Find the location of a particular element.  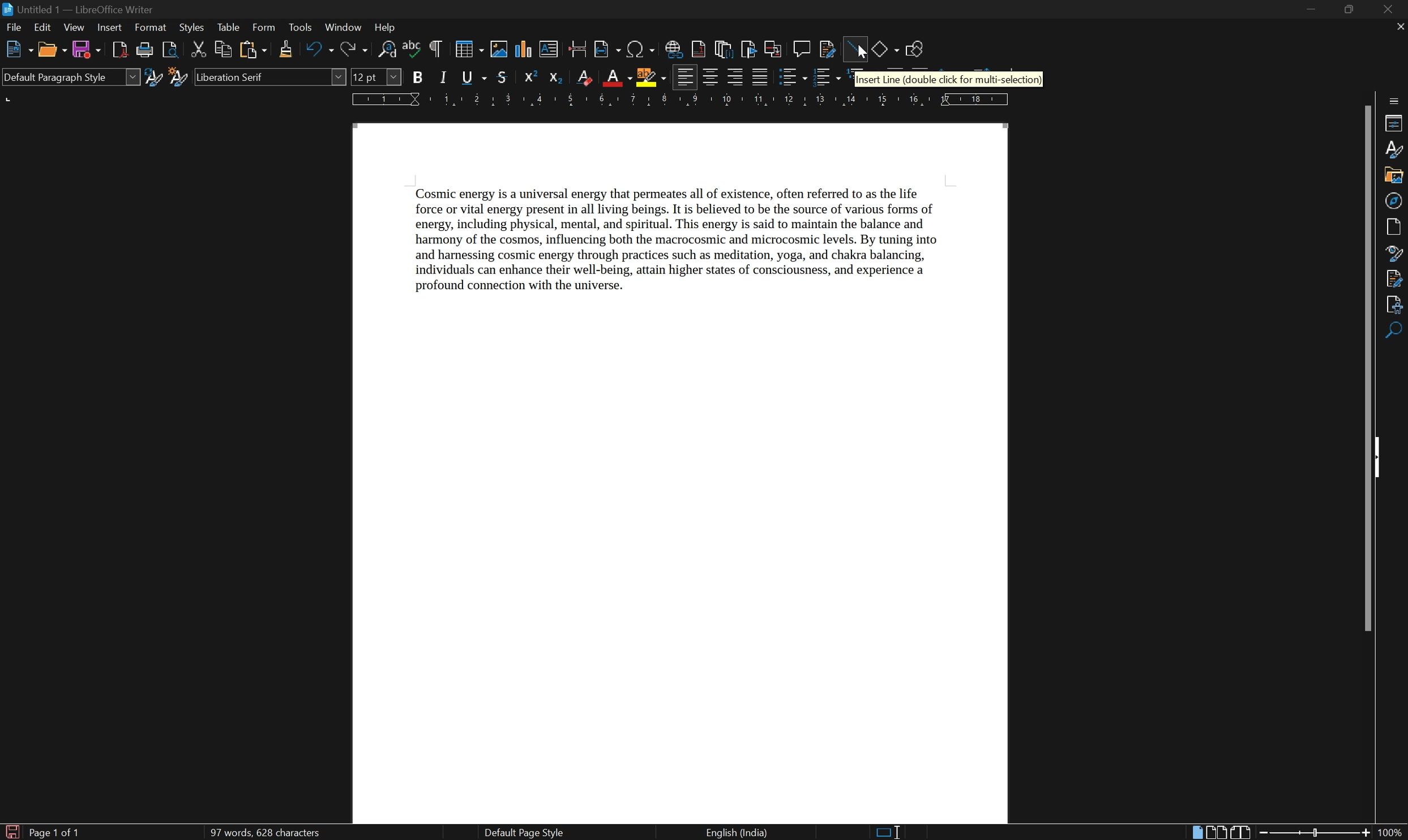

export directly as PDF is located at coordinates (118, 50).